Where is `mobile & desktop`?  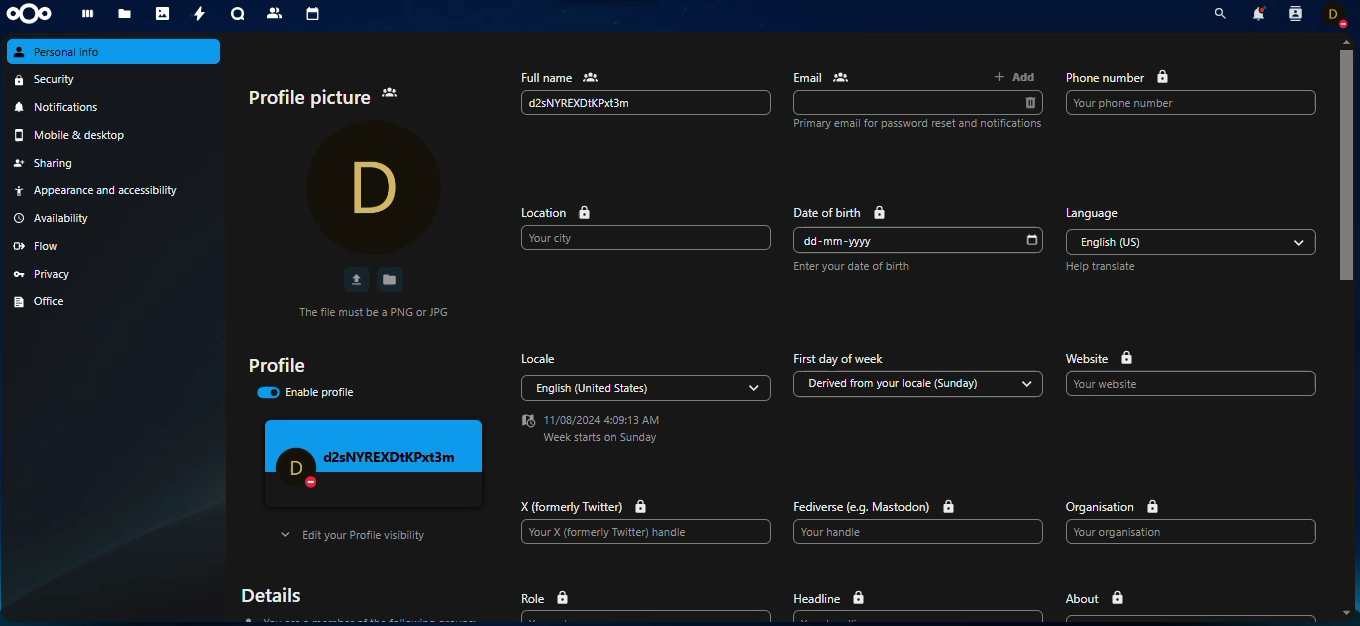
mobile & desktop is located at coordinates (115, 135).